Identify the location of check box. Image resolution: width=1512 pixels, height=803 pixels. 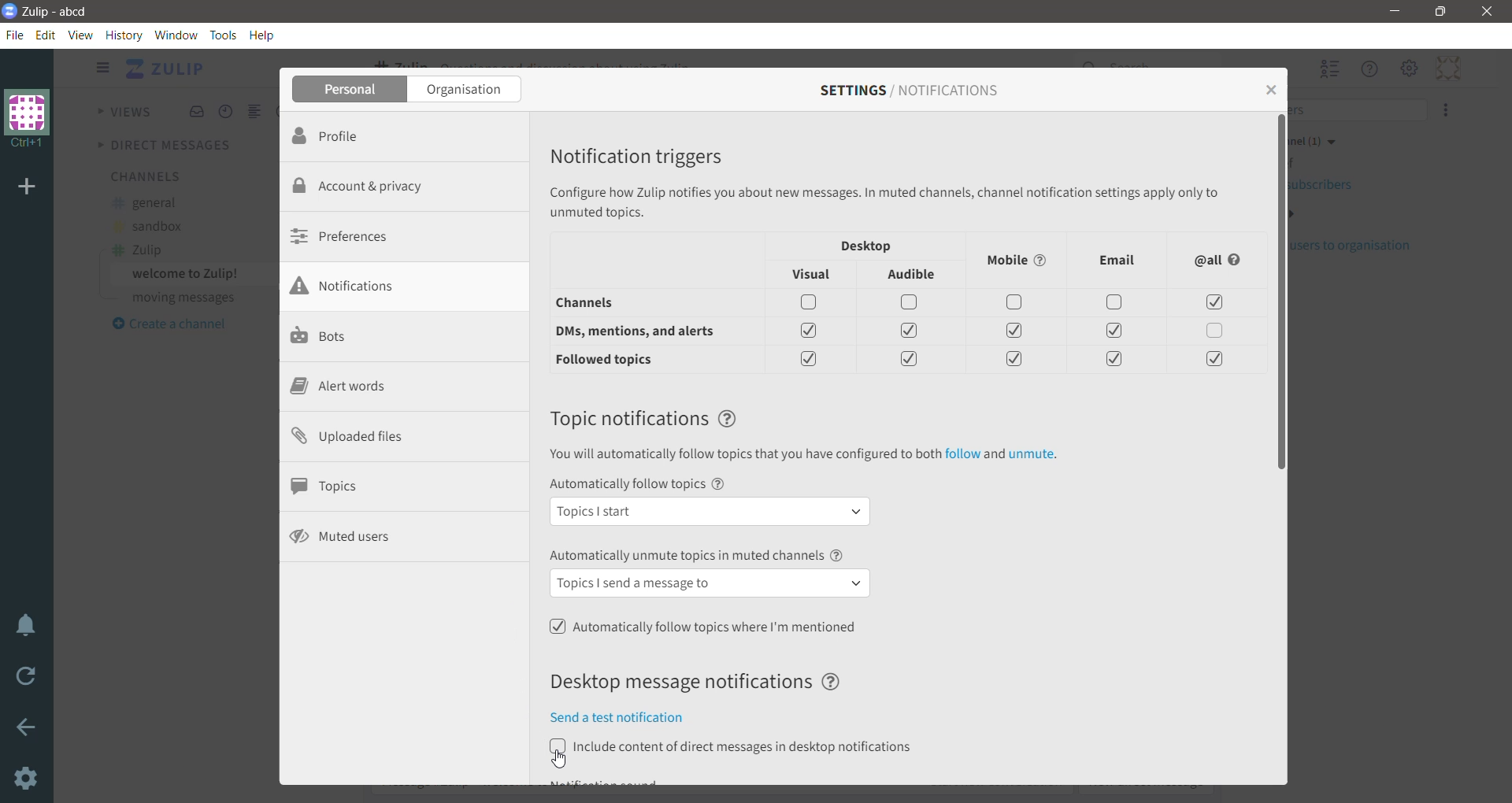
(812, 328).